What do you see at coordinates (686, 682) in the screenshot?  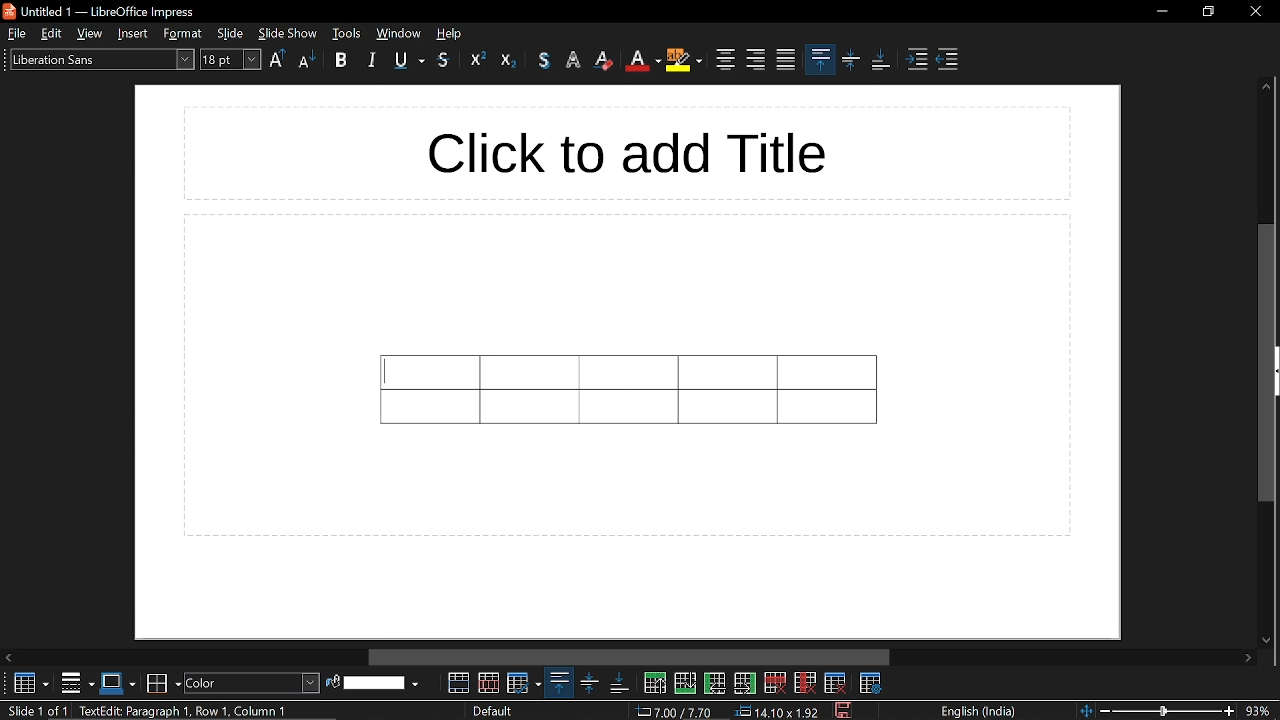 I see `insert row below` at bounding box center [686, 682].